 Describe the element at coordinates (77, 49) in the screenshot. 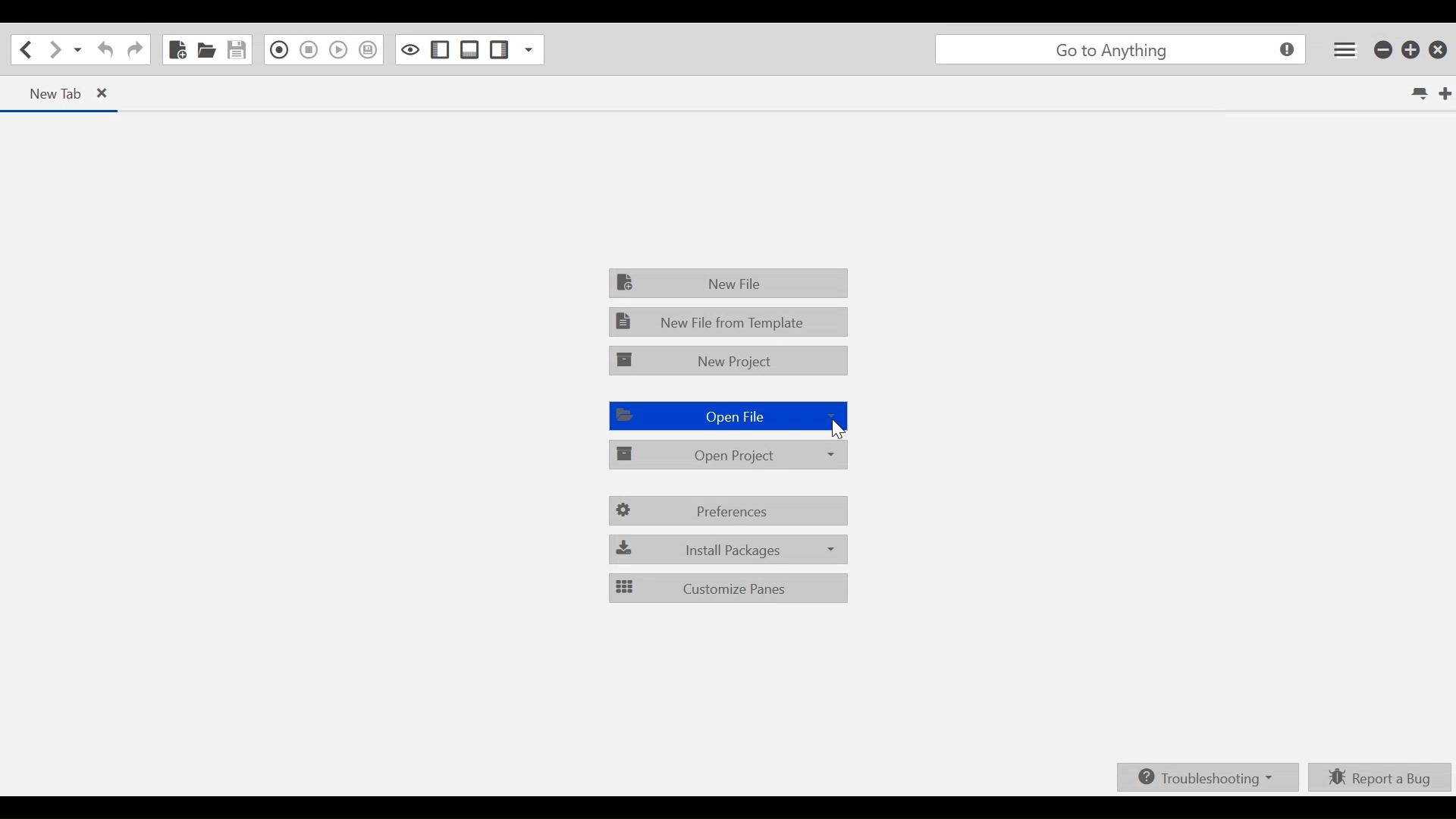

I see `Recent locations` at that location.